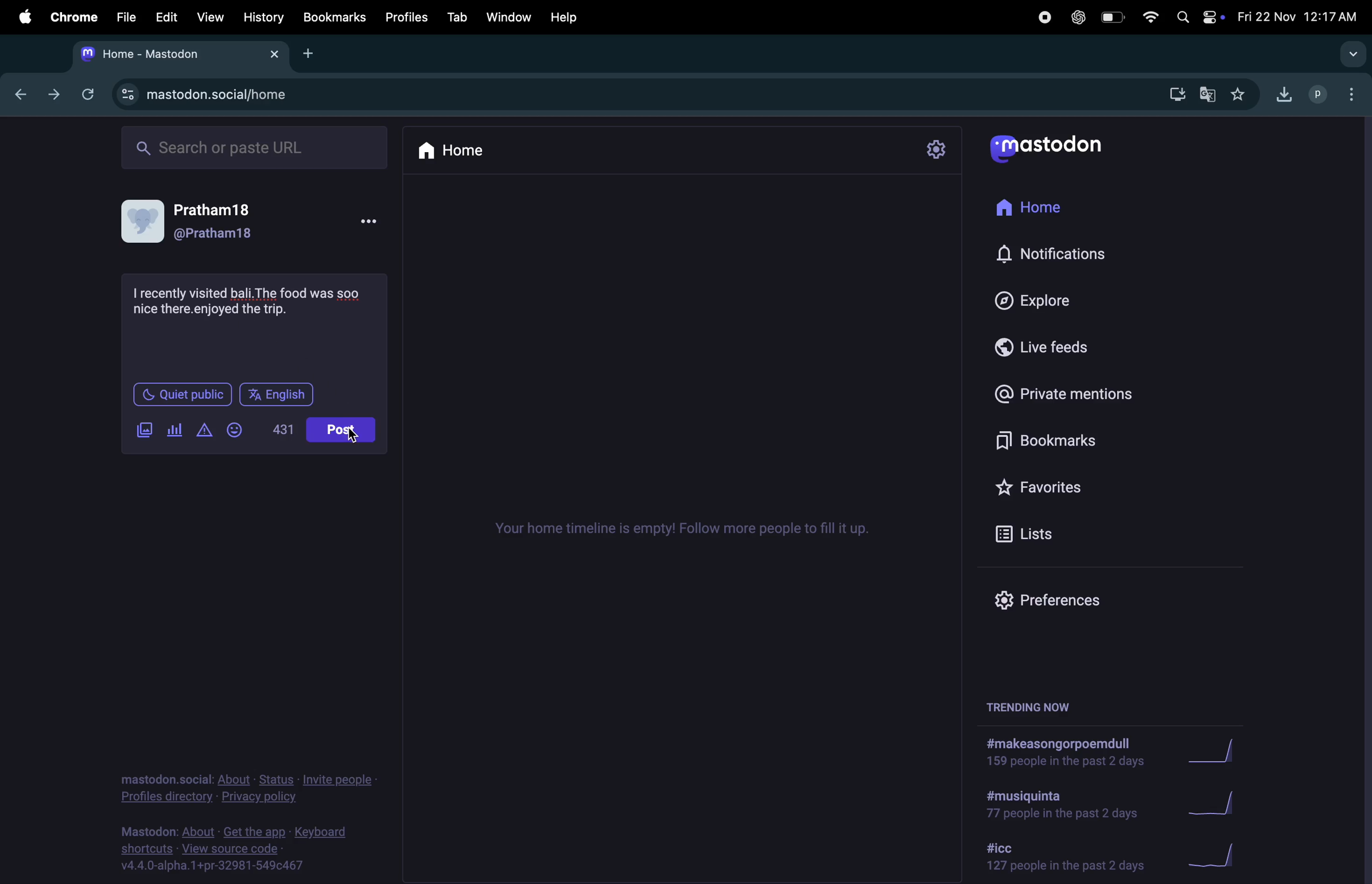 This screenshot has height=884, width=1372. I want to click on posts, so click(341, 431).